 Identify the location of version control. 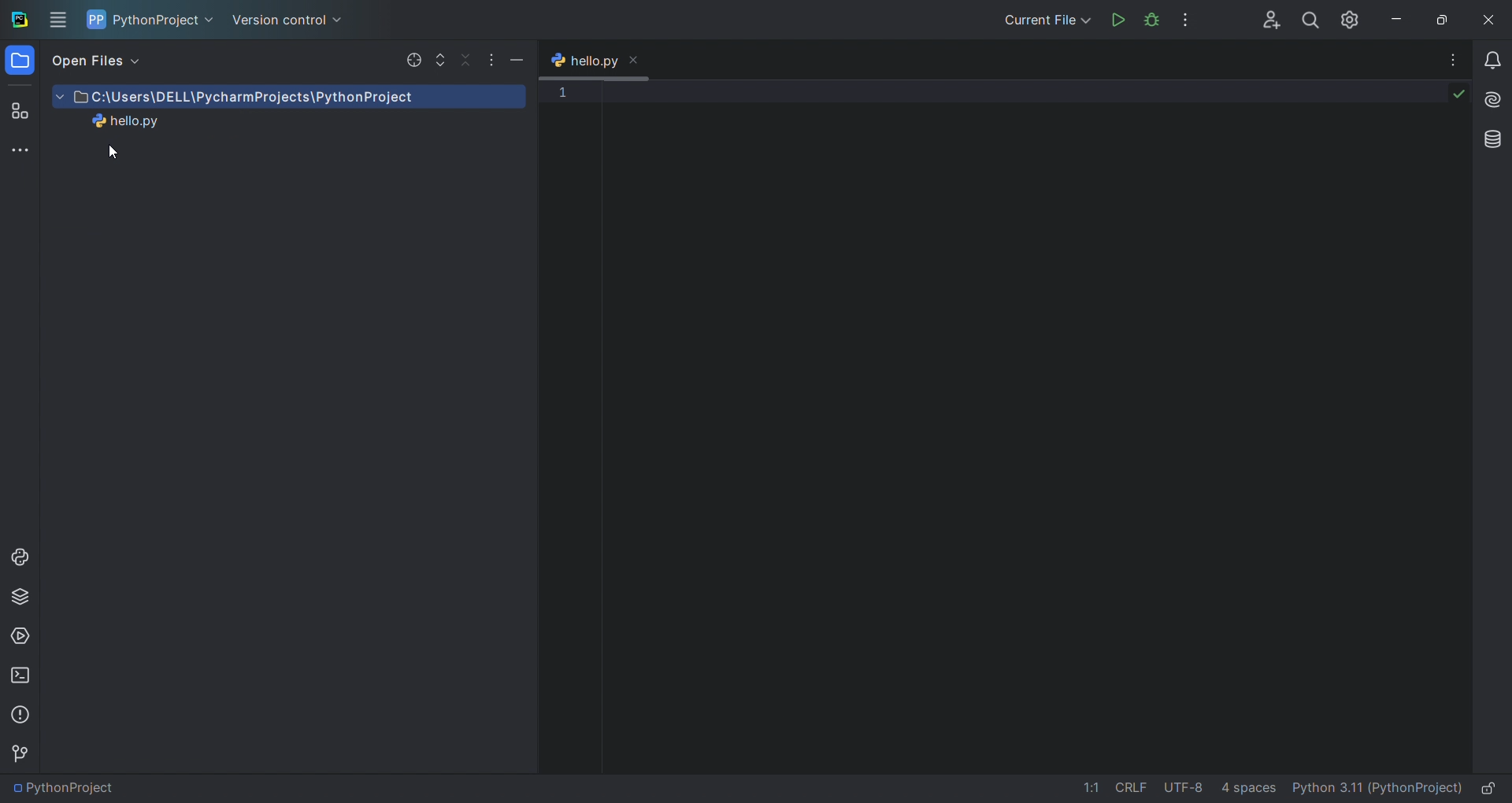
(293, 22).